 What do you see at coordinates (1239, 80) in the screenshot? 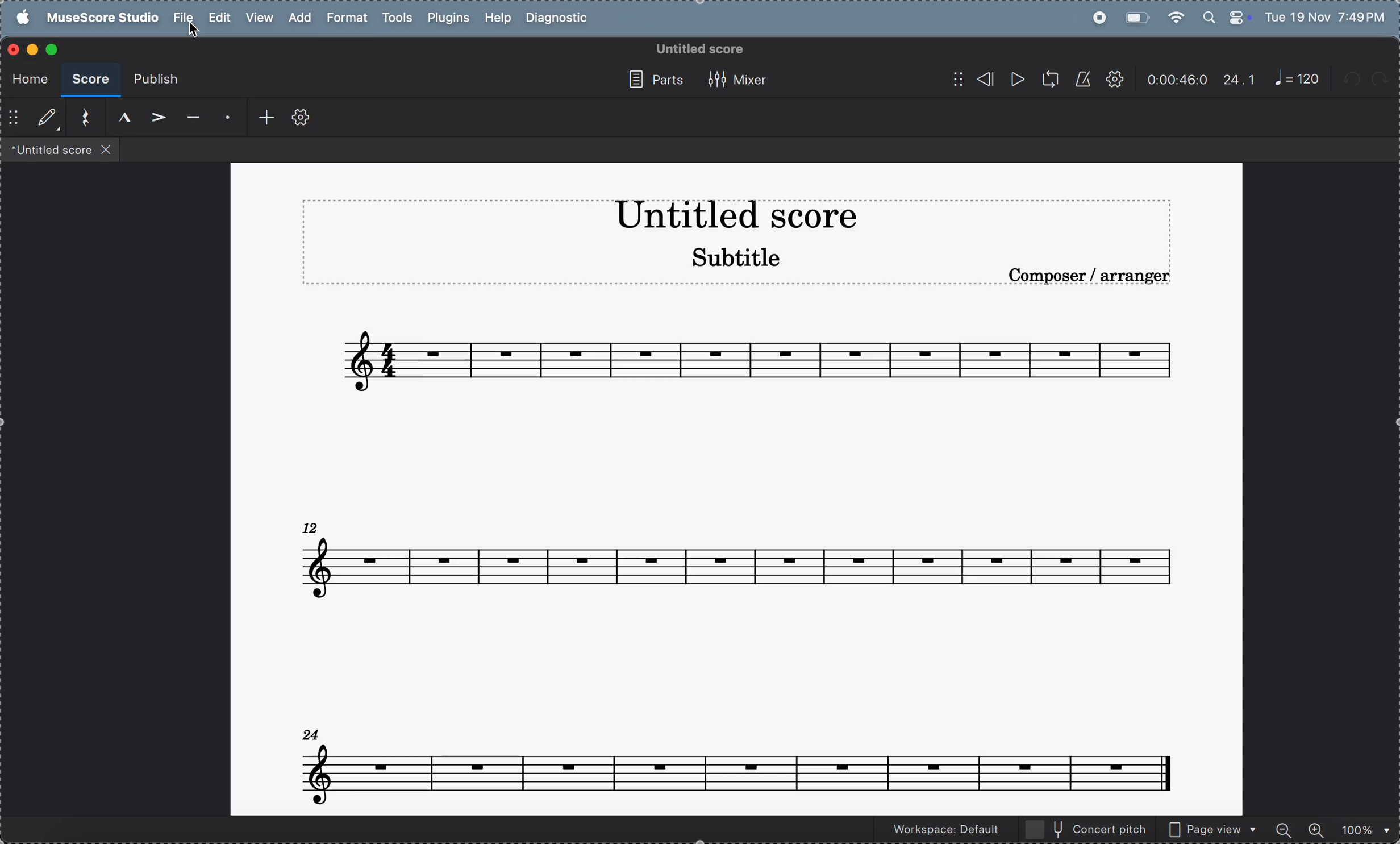
I see `24.1` at bounding box center [1239, 80].